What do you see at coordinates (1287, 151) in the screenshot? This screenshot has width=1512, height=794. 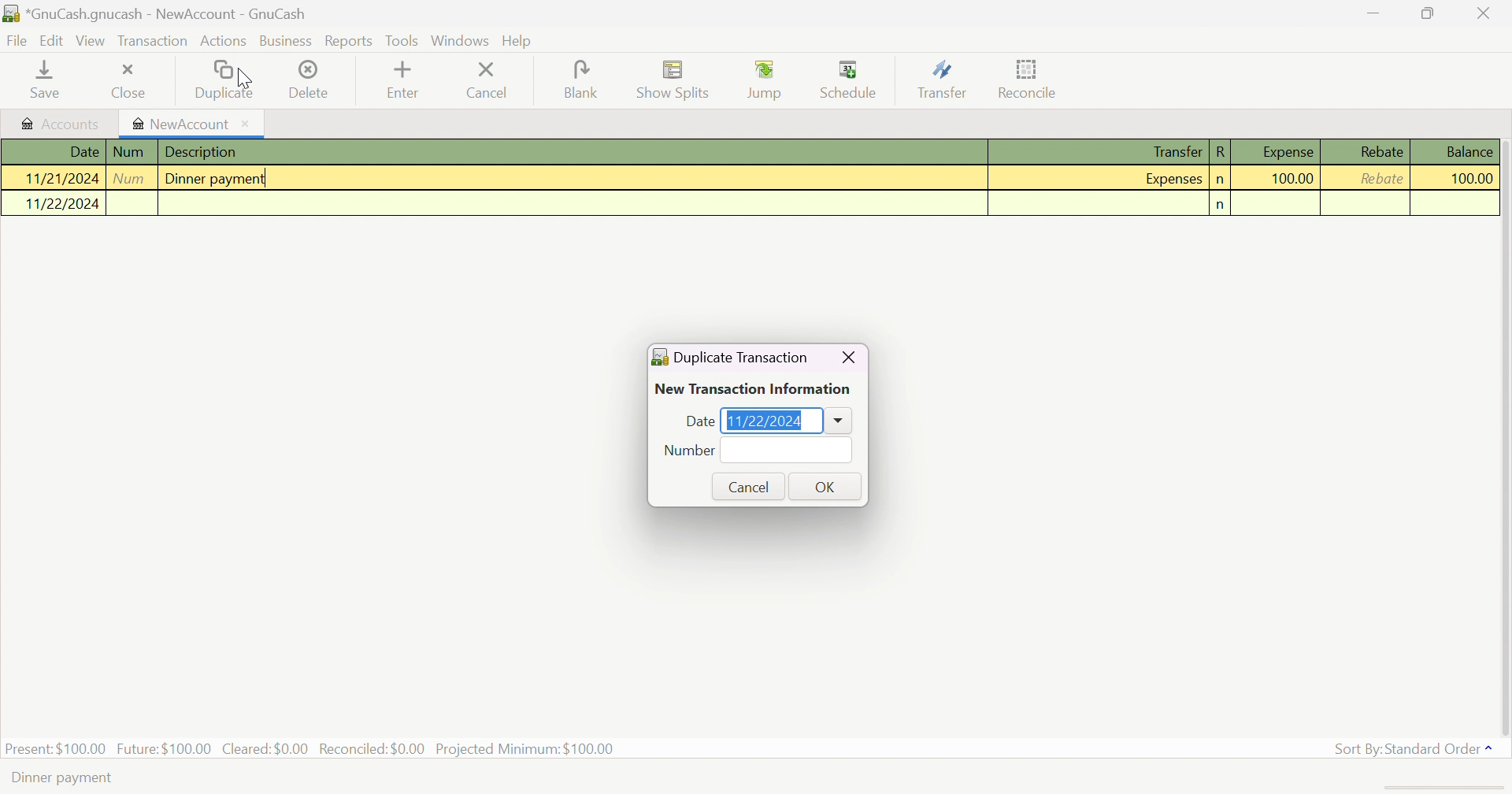 I see `Expense` at bounding box center [1287, 151].